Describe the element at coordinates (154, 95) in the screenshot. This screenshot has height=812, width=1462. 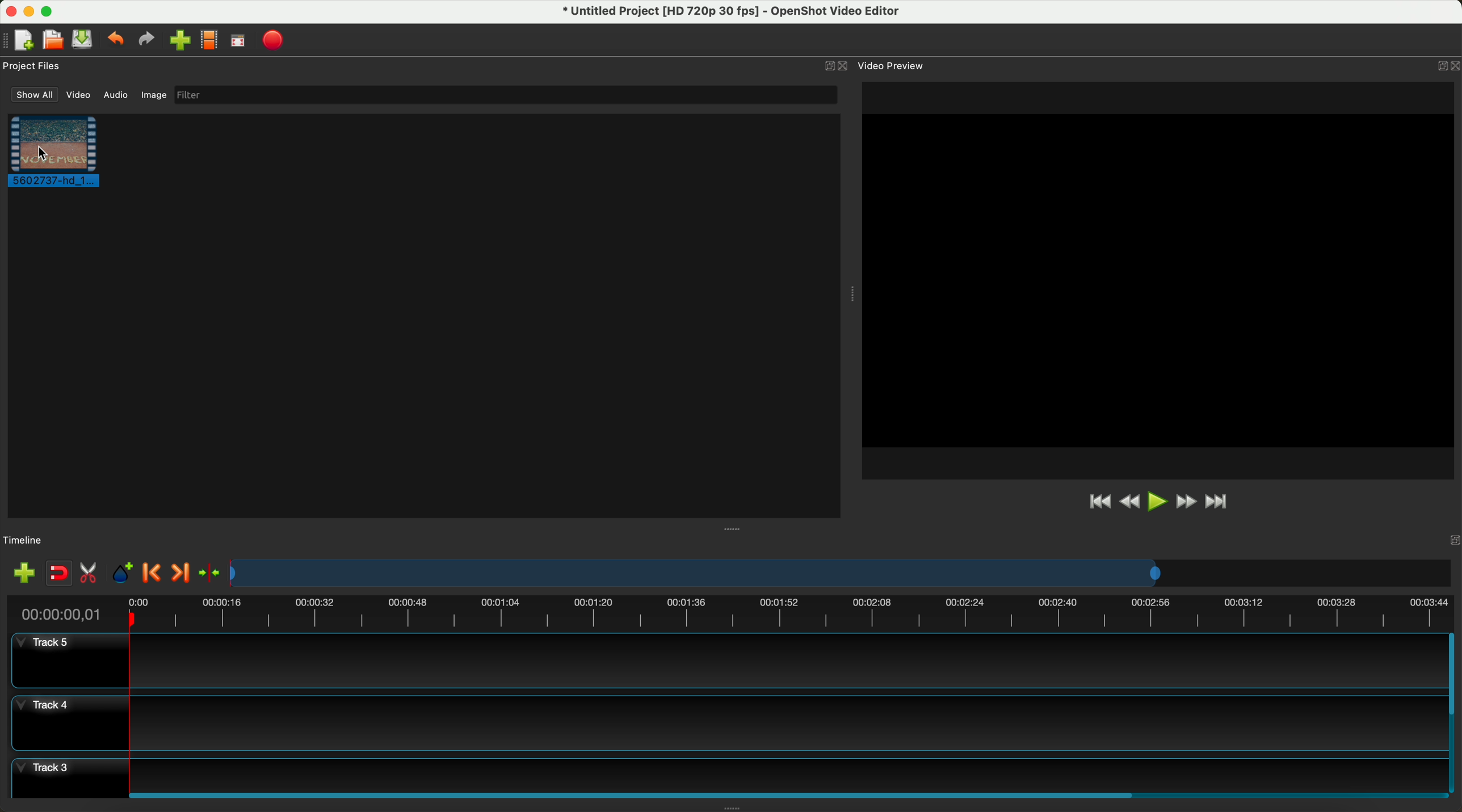
I see `image` at that location.